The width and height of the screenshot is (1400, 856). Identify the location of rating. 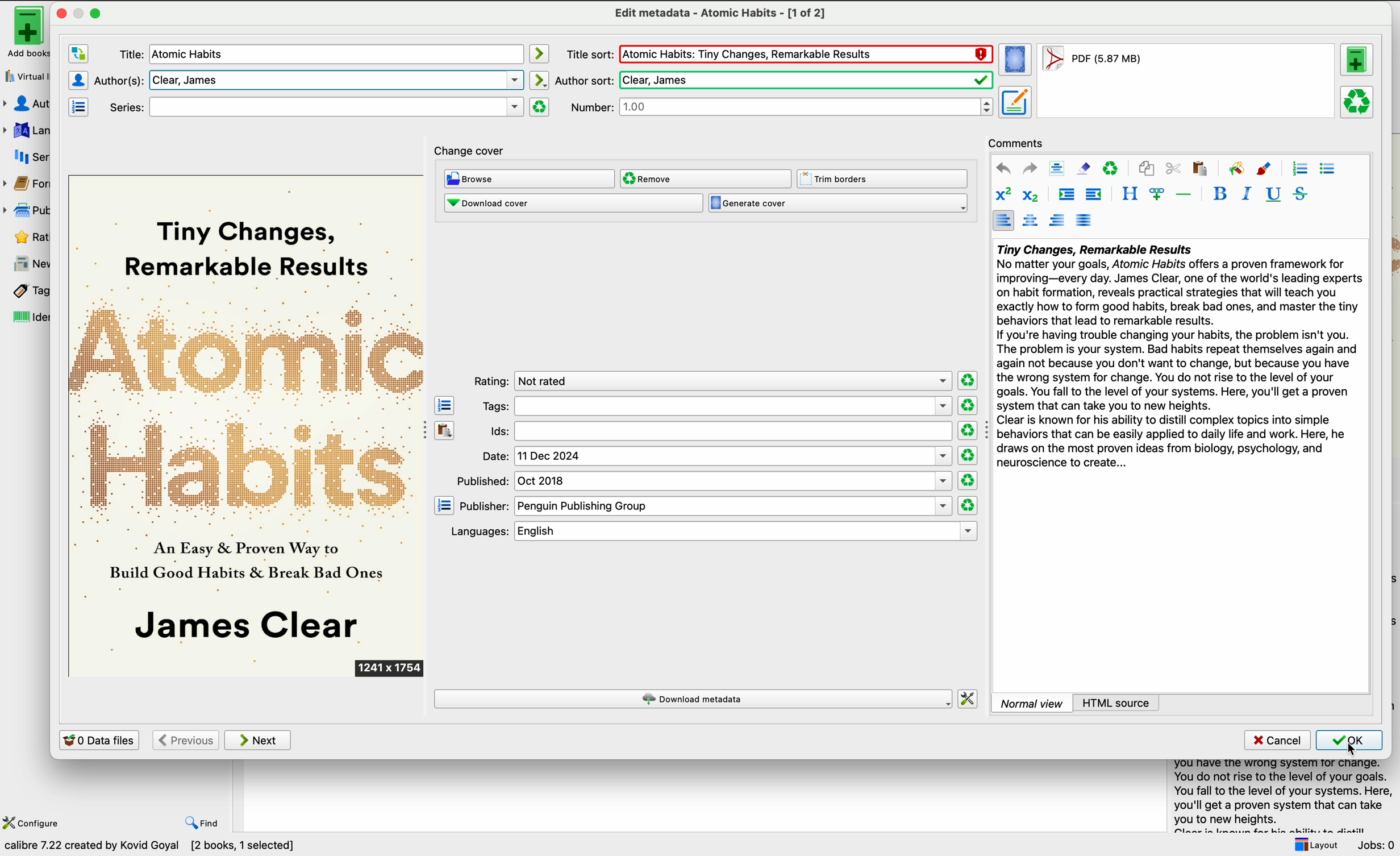
(711, 380).